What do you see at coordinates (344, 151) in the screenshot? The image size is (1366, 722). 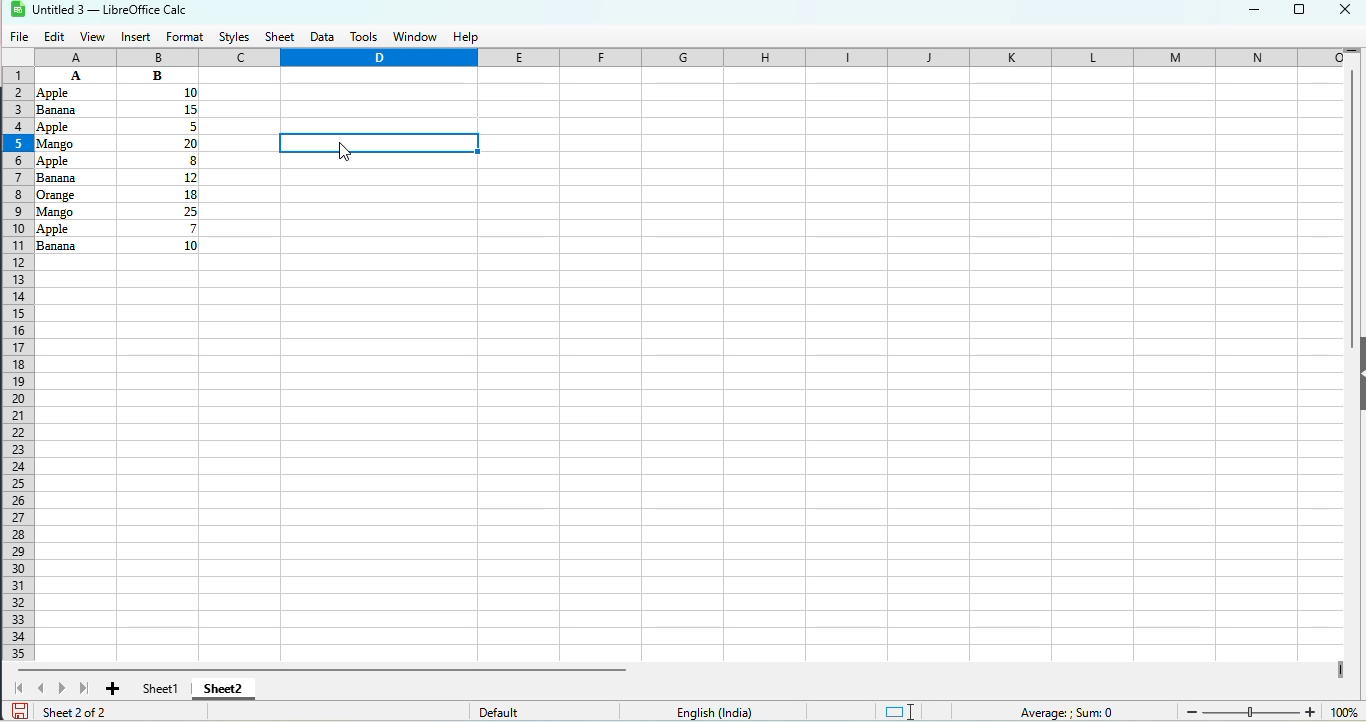 I see `cursor` at bounding box center [344, 151].